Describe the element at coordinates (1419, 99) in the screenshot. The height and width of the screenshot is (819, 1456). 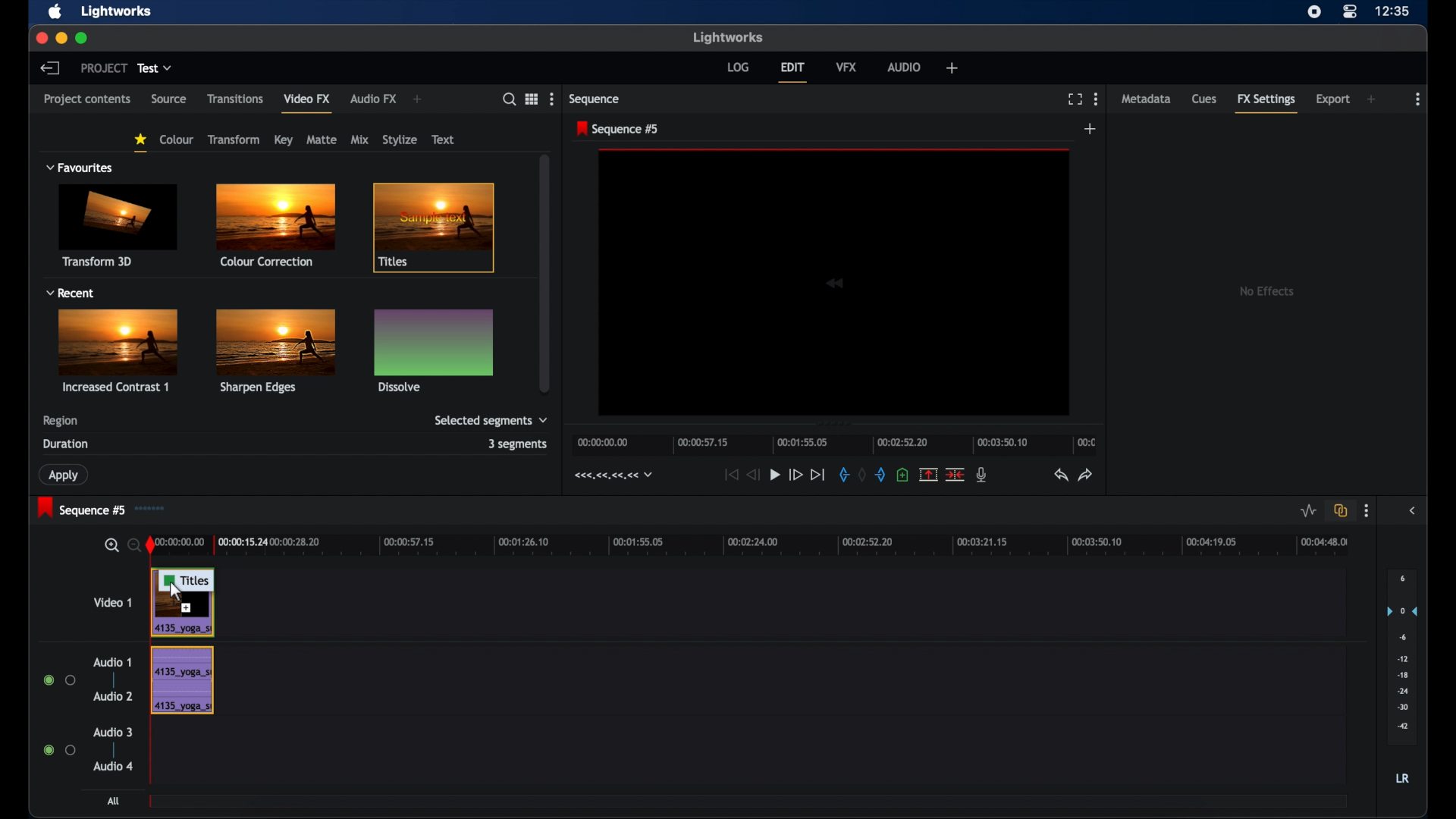
I see `more options` at that location.